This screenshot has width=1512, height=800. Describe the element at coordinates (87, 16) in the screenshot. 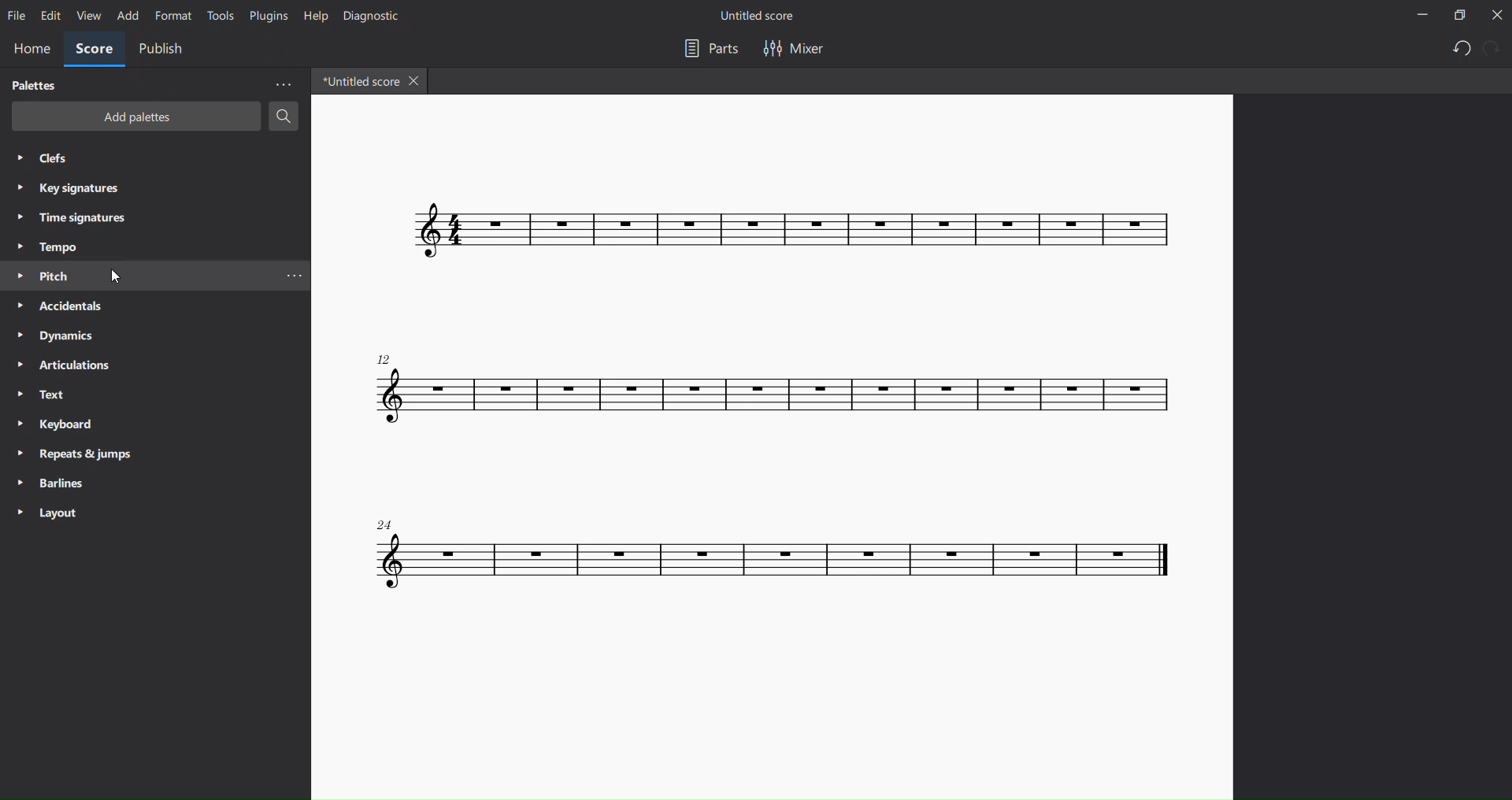

I see `view` at that location.